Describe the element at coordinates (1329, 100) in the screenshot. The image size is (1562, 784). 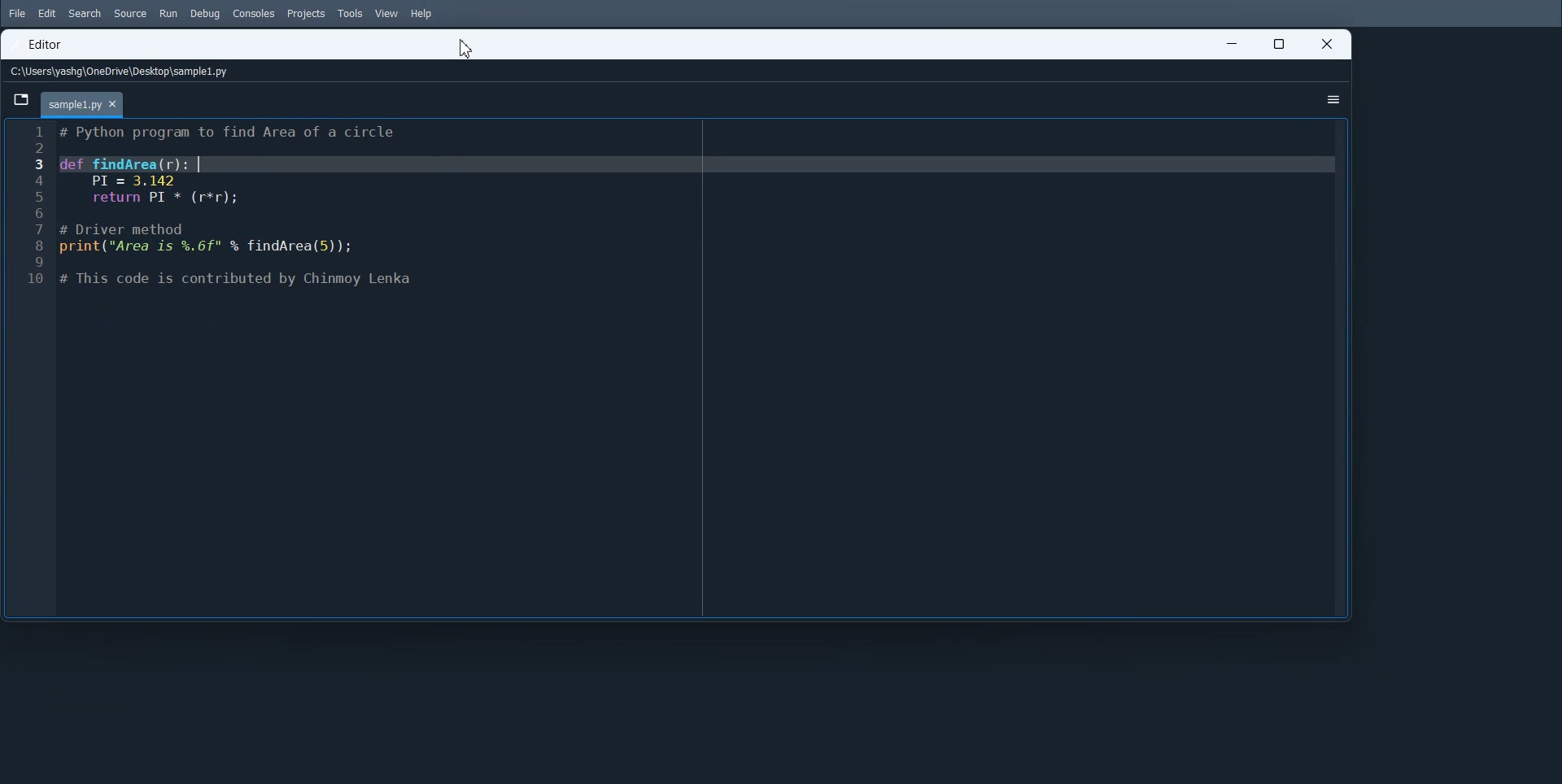
I see `Options` at that location.